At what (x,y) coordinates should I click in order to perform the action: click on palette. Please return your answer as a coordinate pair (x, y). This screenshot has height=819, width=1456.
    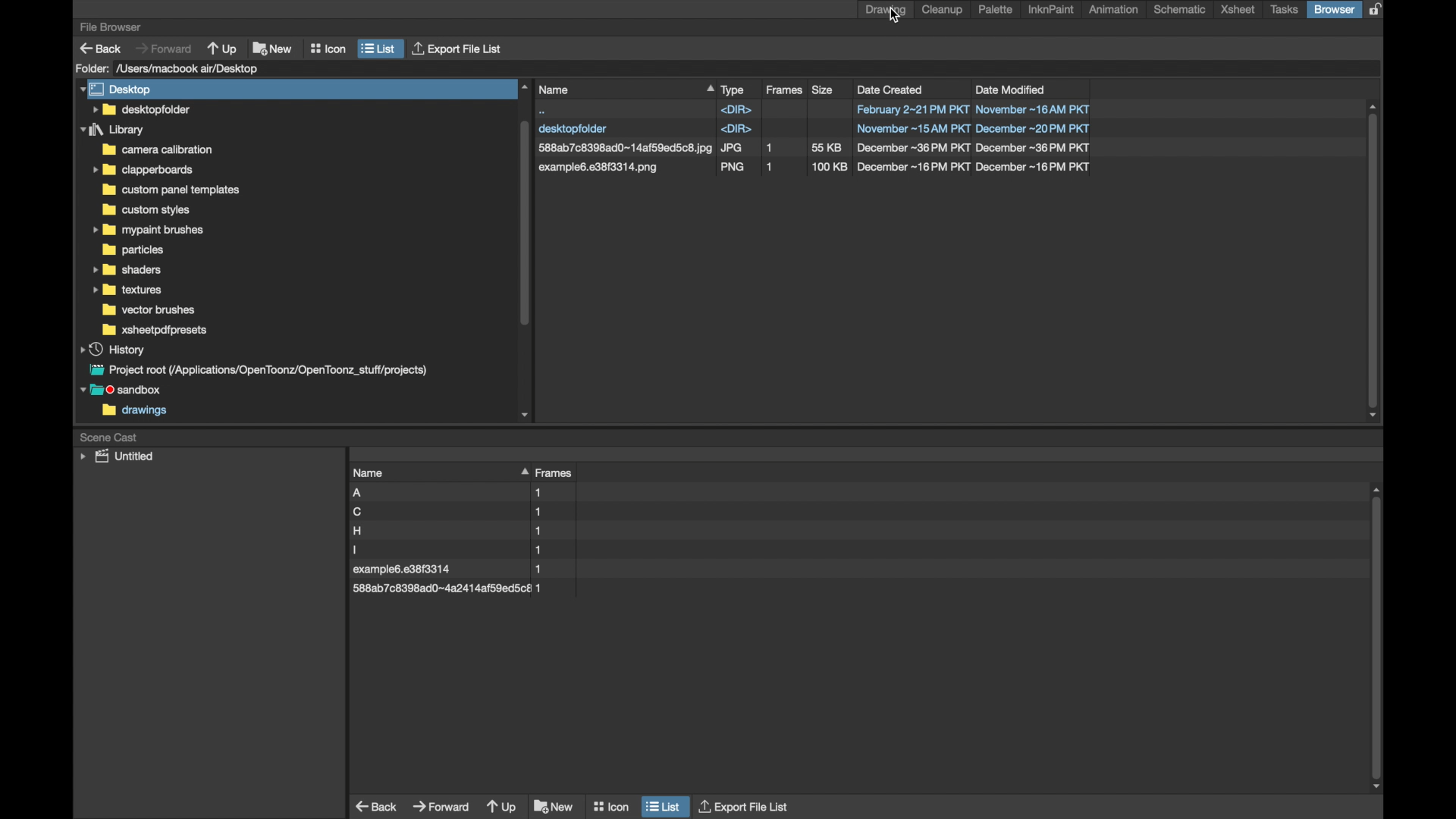
    Looking at the image, I should click on (996, 9).